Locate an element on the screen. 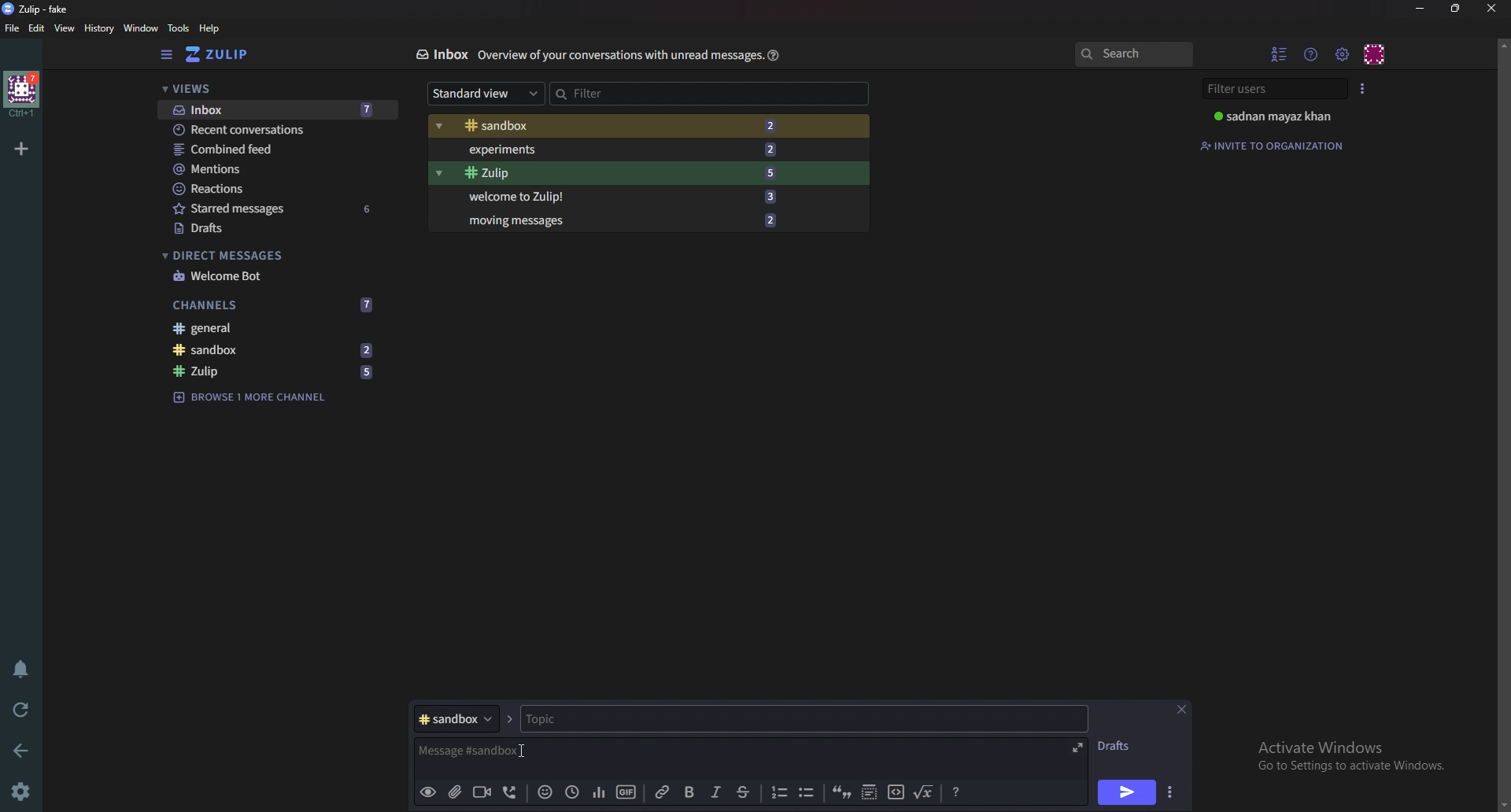 The width and height of the screenshot is (1511, 812). Channels is located at coordinates (276, 303).